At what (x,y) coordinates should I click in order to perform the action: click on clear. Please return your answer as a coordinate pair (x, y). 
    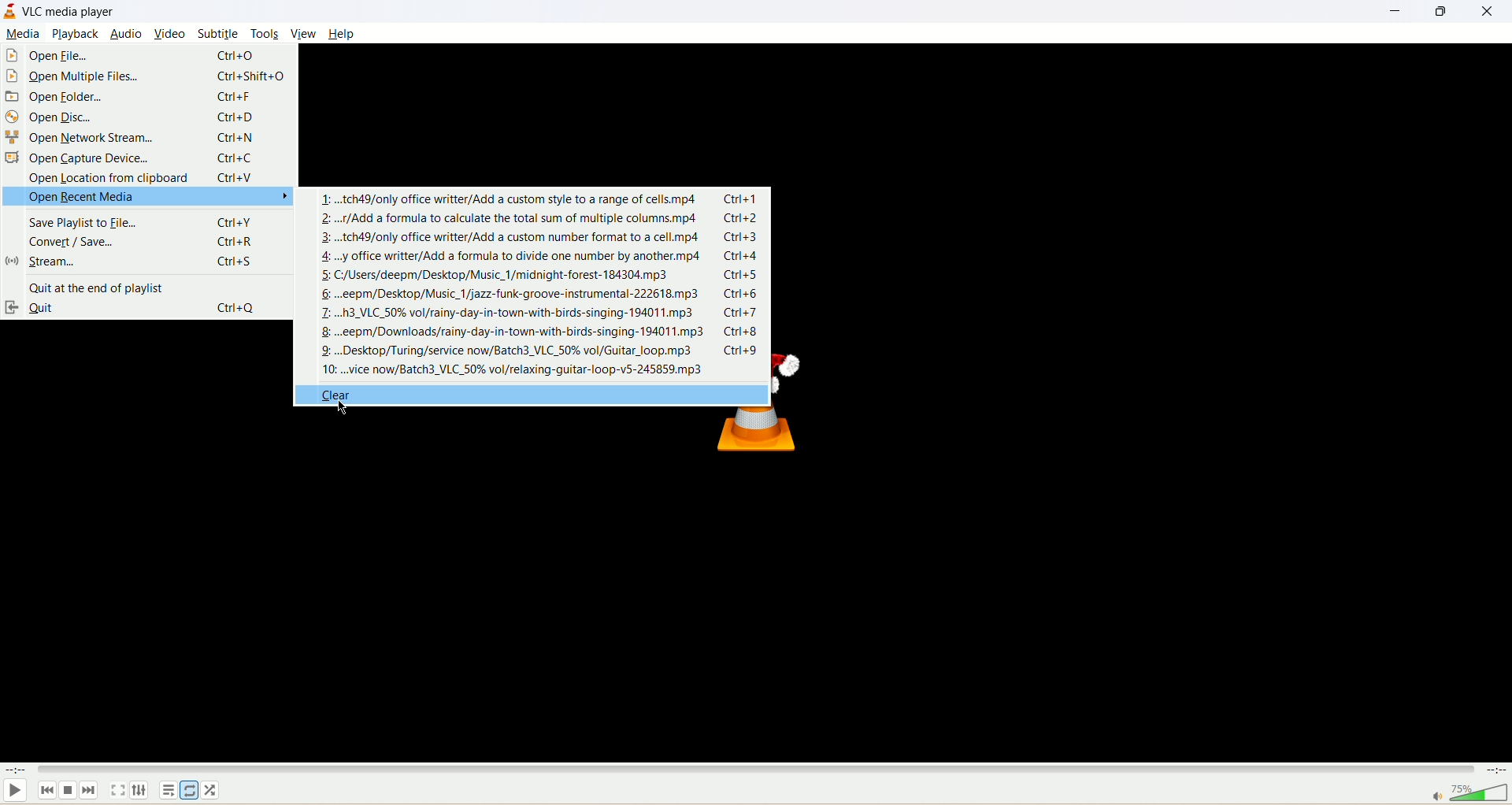
    Looking at the image, I should click on (531, 395).